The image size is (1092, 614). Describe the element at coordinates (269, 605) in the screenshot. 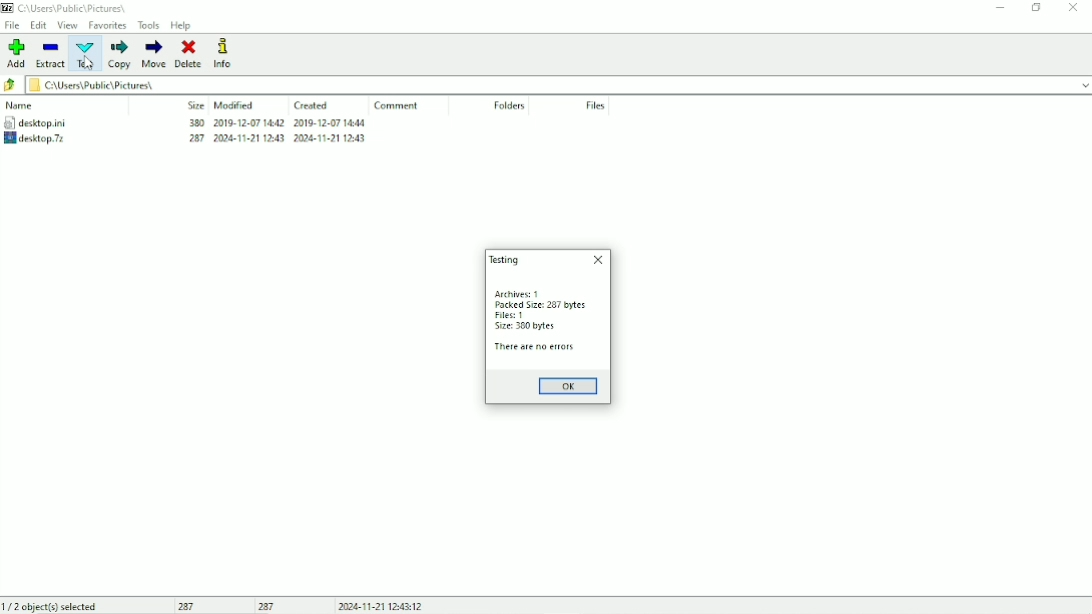

I see `287` at that location.